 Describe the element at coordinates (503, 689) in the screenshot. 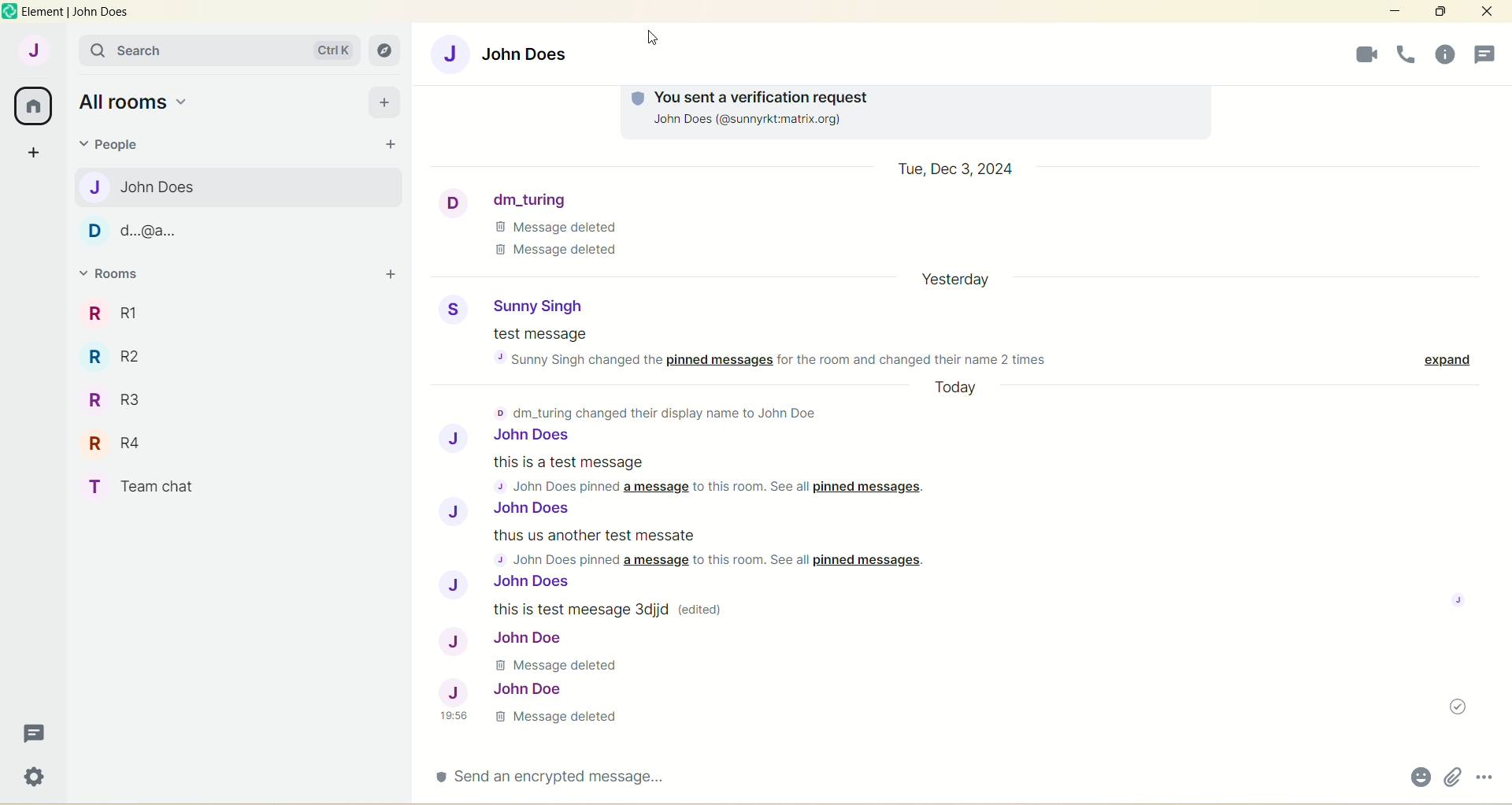

I see `John Doe` at that location.